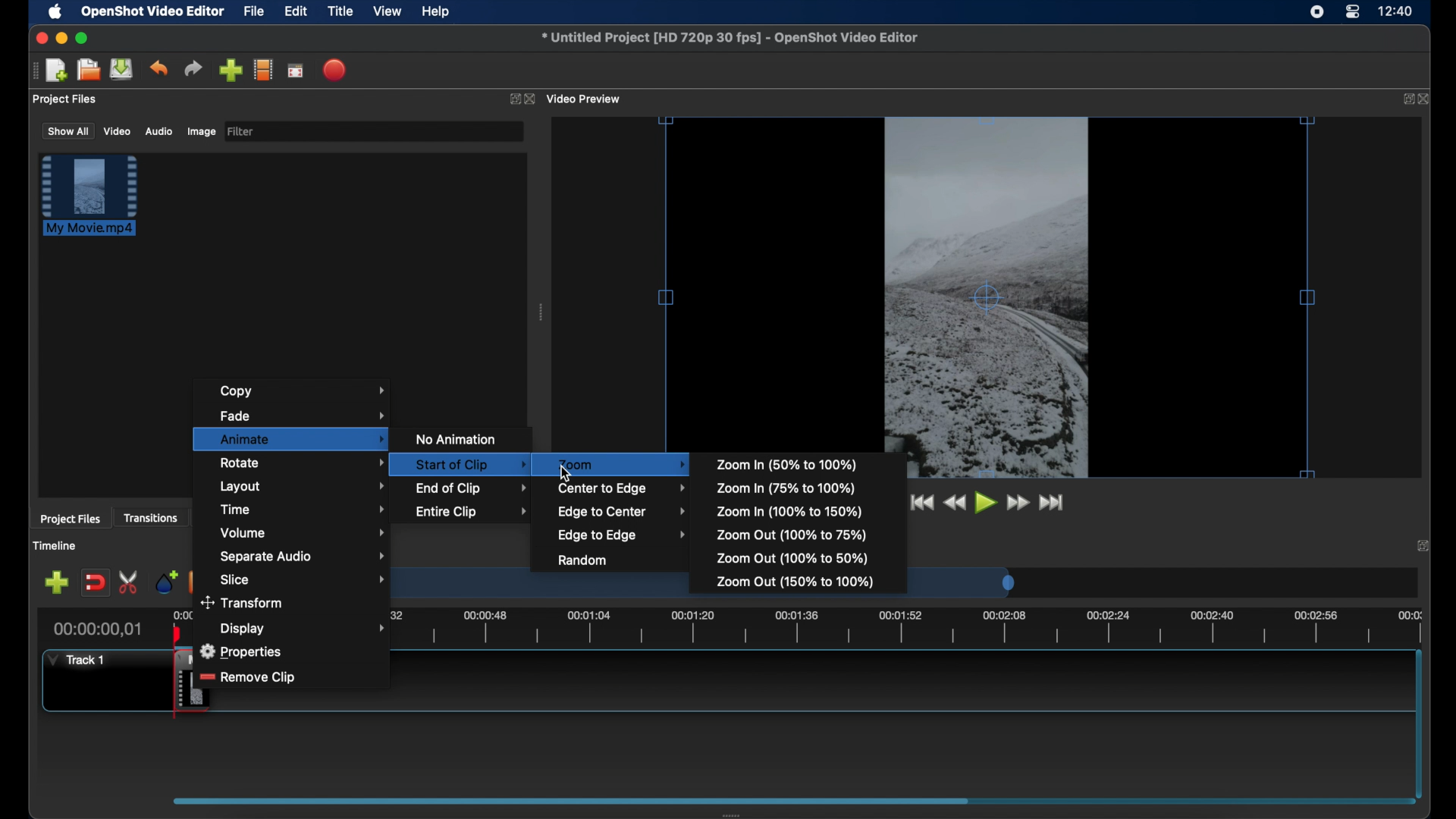  I want to click on zoom out, so click(789, 535).